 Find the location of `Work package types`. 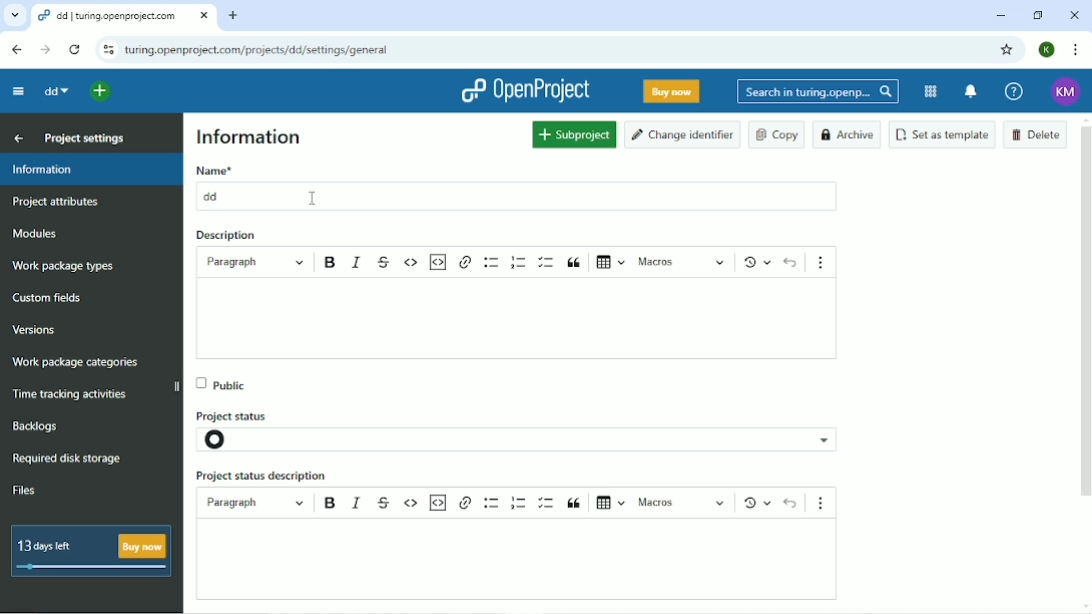

Work package types is located at coordinates (64, 266).